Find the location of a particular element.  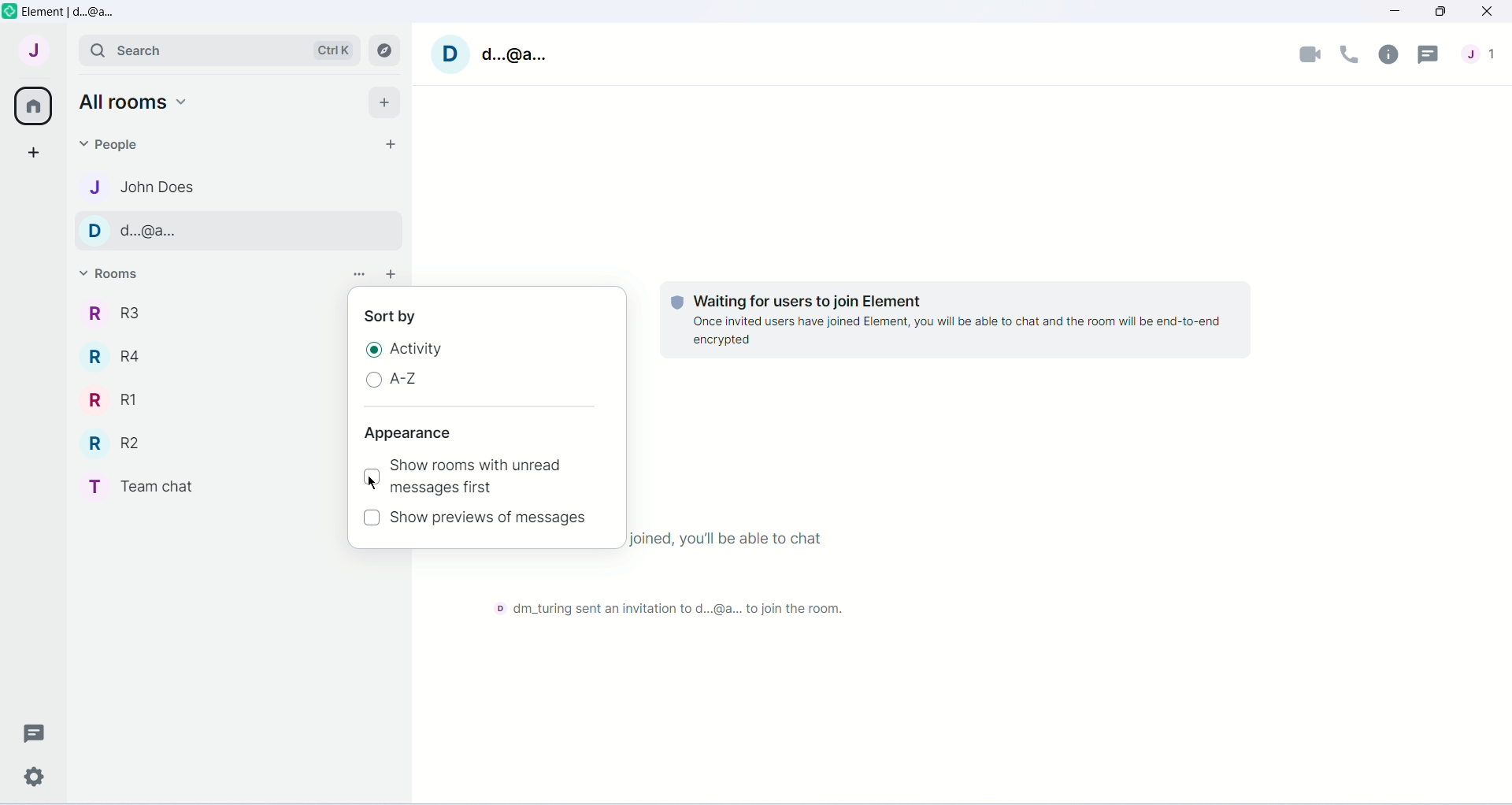

add is located at coordinates (391, 276).